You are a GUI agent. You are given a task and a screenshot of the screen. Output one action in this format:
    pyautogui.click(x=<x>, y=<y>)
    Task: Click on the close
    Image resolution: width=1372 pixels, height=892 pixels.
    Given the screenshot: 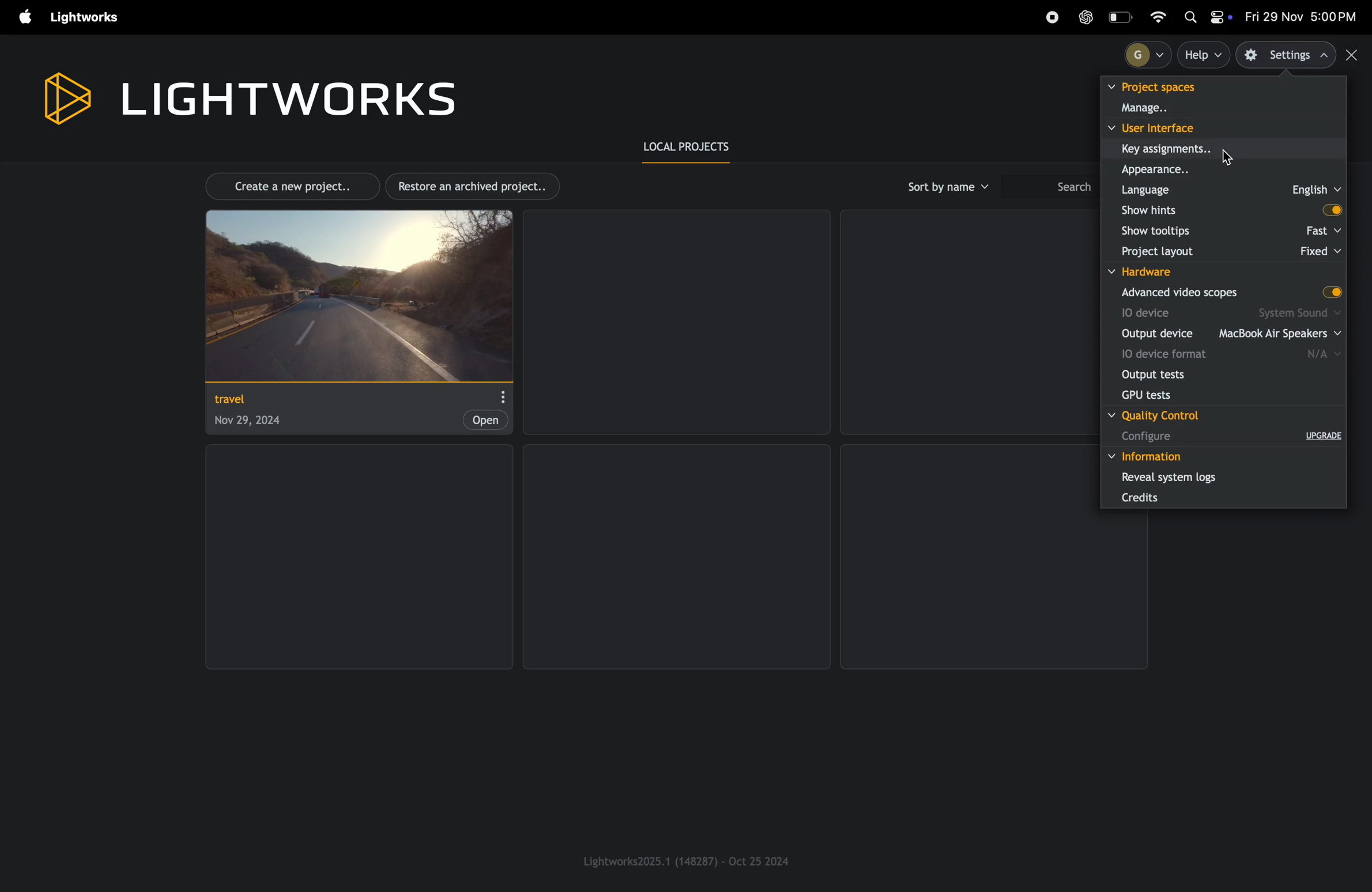 What is the action you would take?
    pyautogui.click(x=1354, y=55)
    